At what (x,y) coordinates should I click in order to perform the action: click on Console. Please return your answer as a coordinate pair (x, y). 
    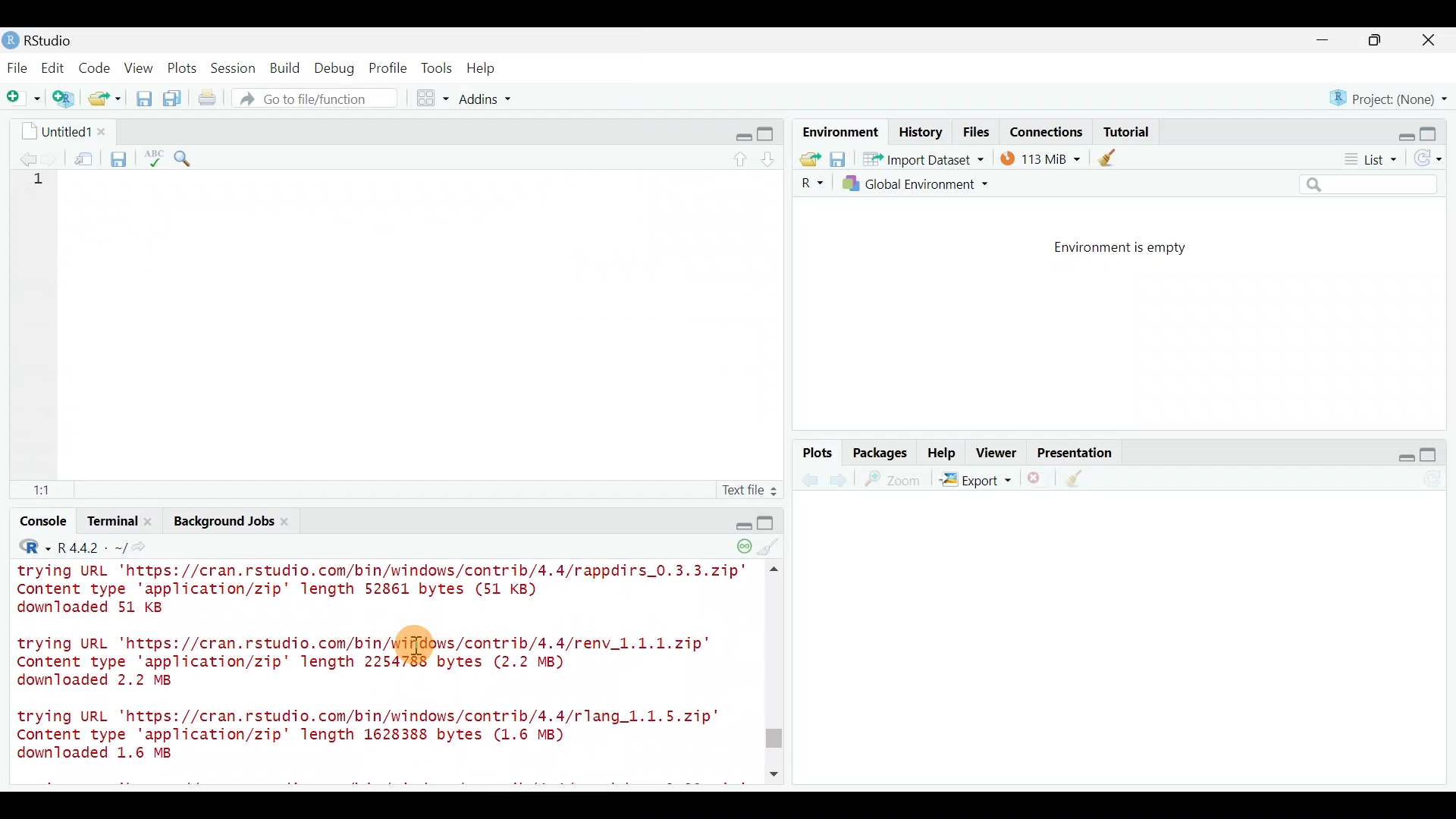
    Looking at the image, I should click on (42, 523).